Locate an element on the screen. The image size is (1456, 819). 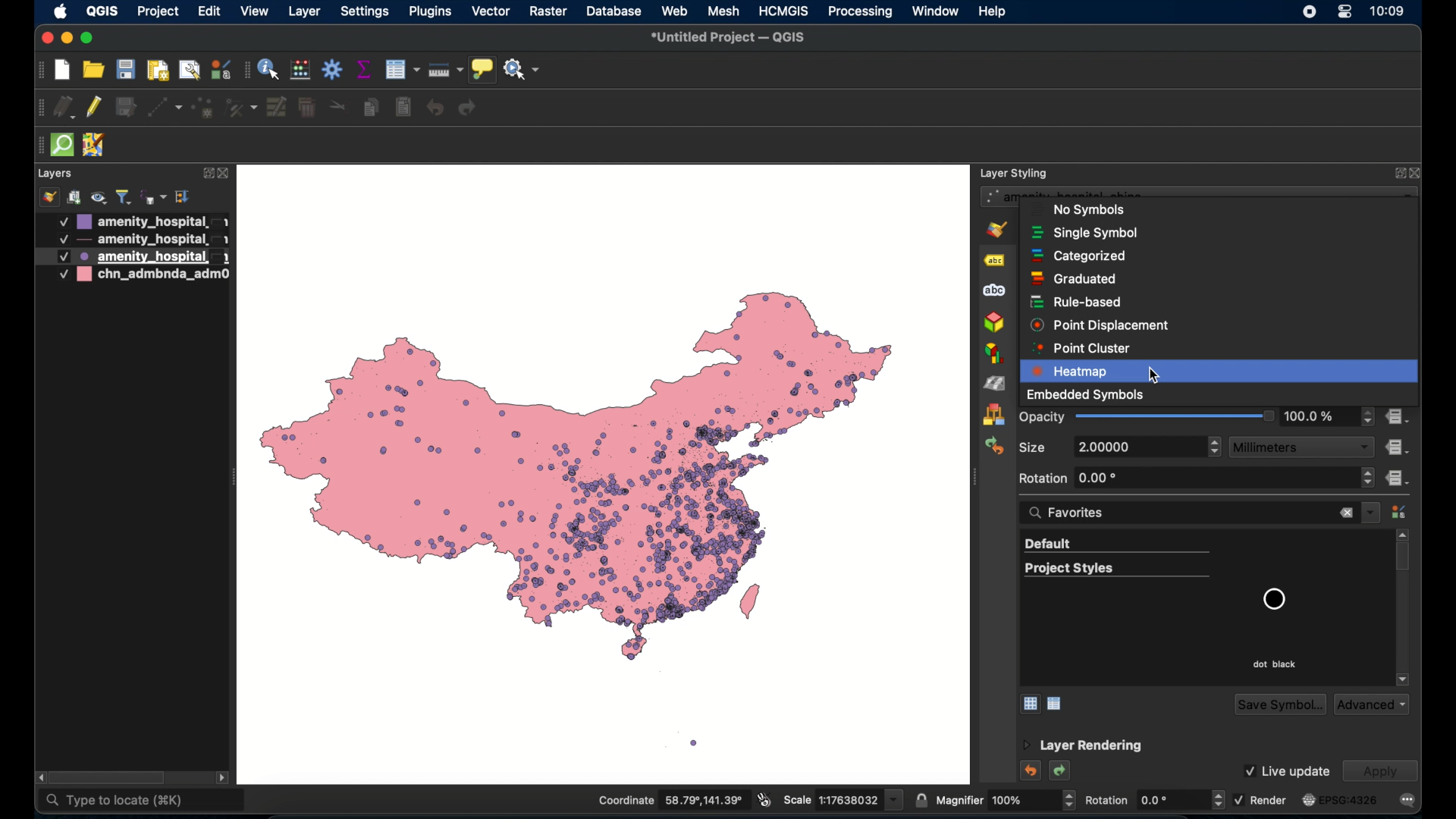
graduated is located at coordinates (1073, 279).